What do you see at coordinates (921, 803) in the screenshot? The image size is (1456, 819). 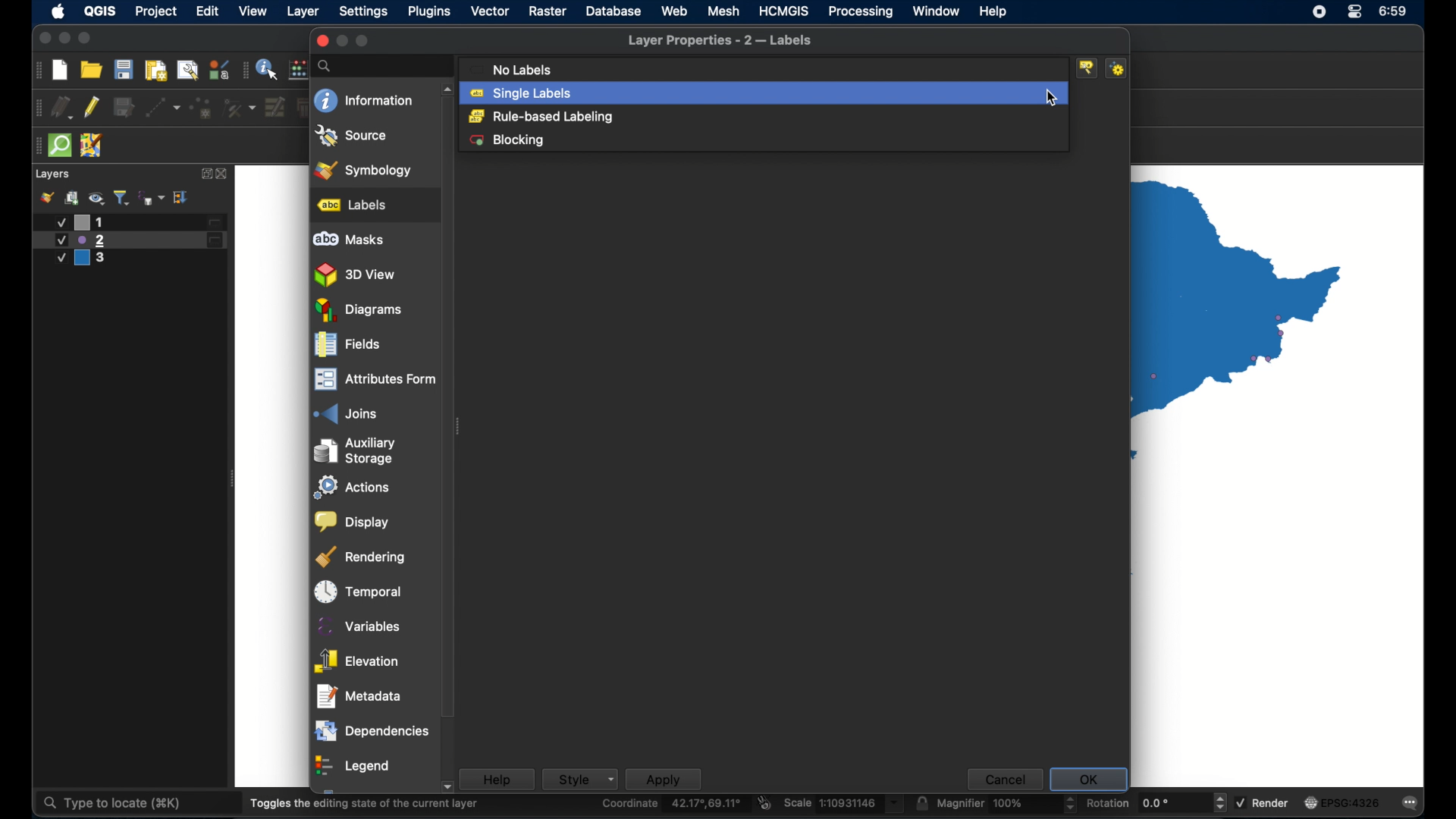 I see `lock scale` at bounding box center [921, 803].